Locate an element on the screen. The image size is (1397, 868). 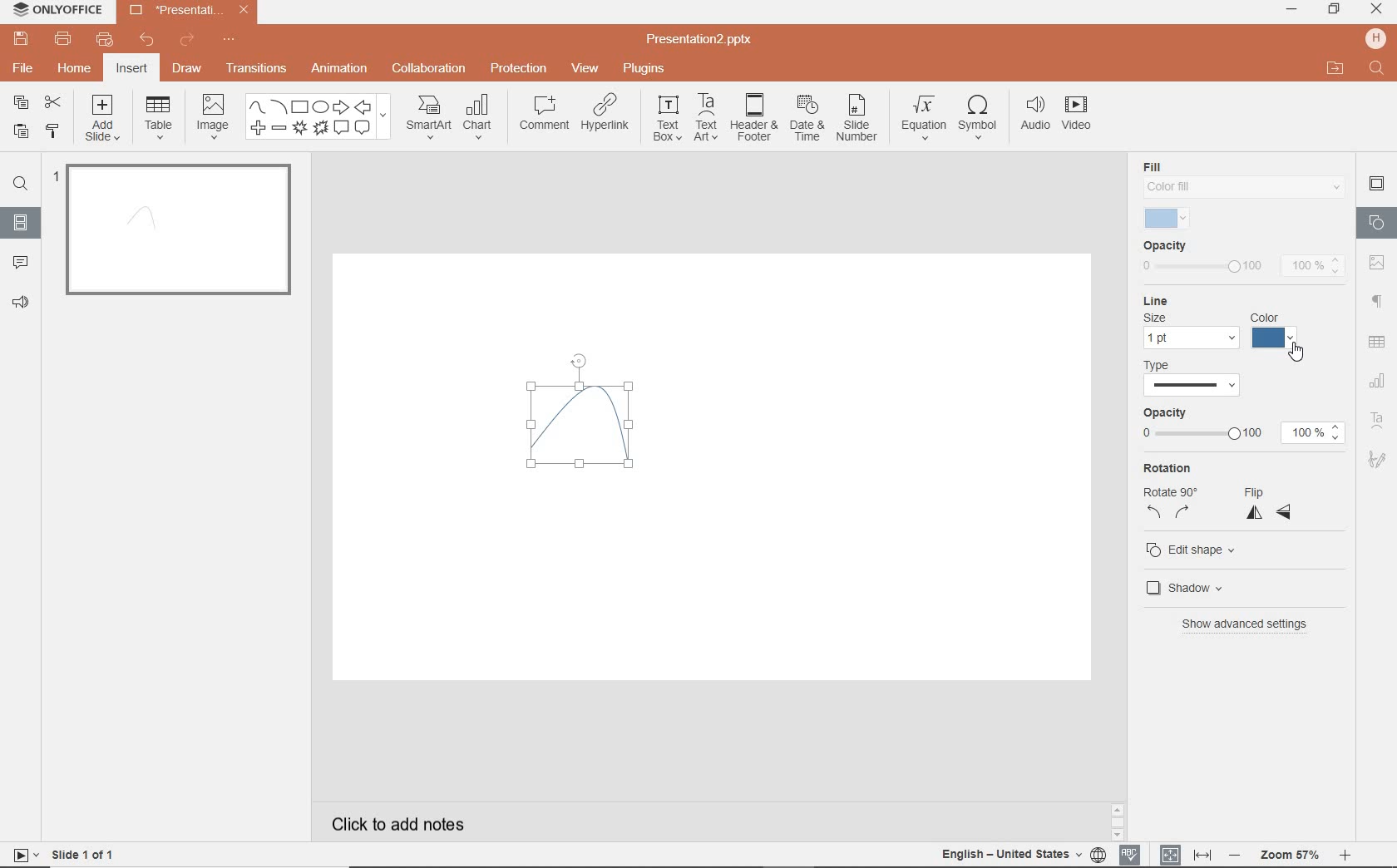
SLIDES is located at coordinates (20, 222).